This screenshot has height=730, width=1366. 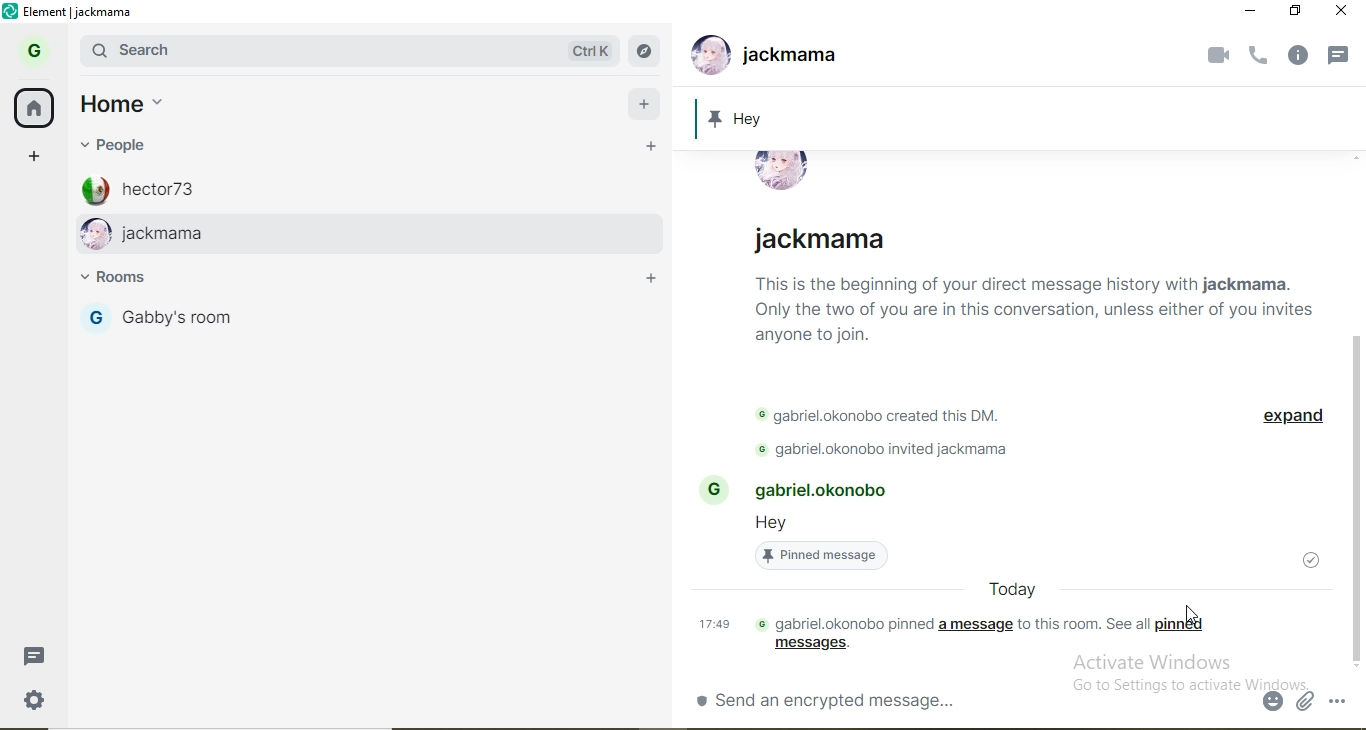 What do you see at coordinates (1002, 589) in the screenshot?
I see `` at bounding box center [1002, 589].